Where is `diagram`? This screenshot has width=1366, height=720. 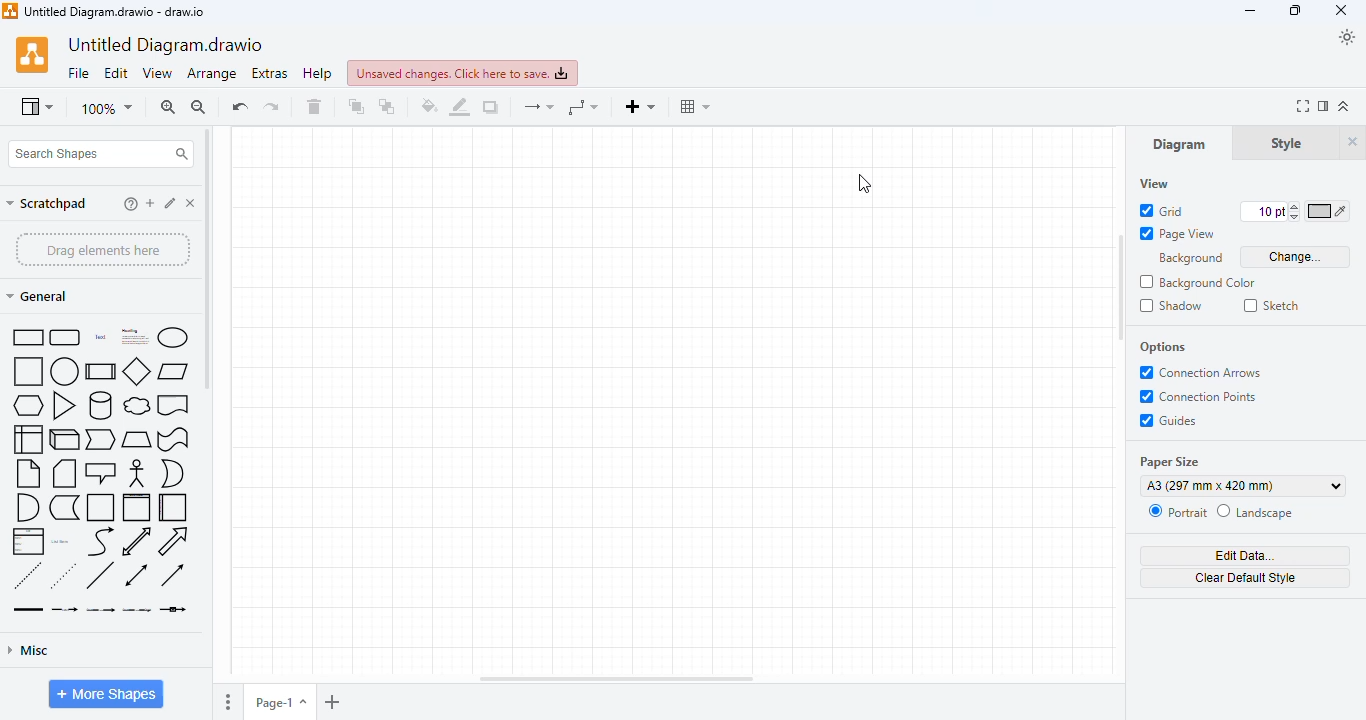 diagram is located at coordinates (1179, 145).